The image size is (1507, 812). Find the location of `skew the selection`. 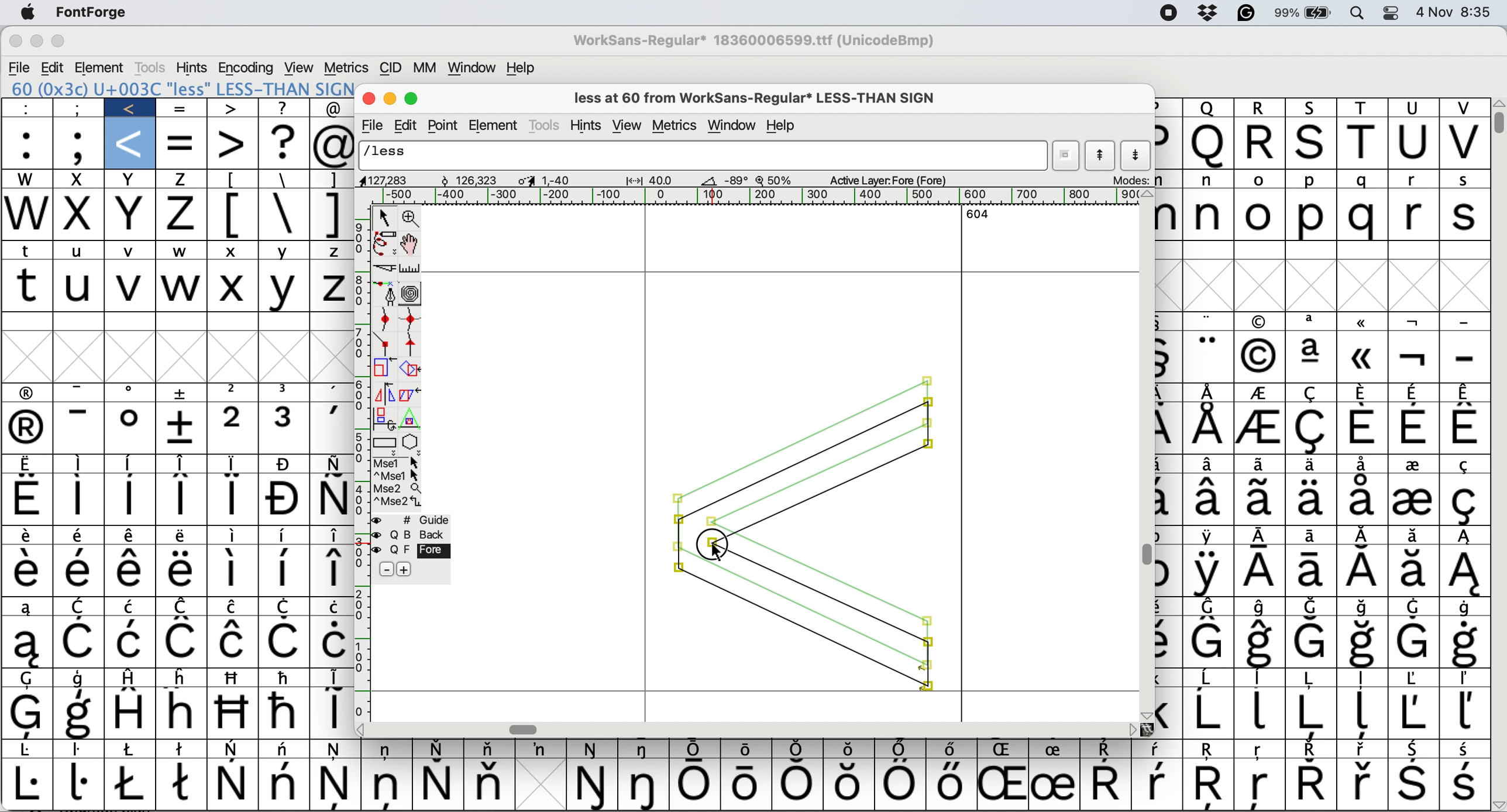

skew the selection is located at coordinates (412, 393).